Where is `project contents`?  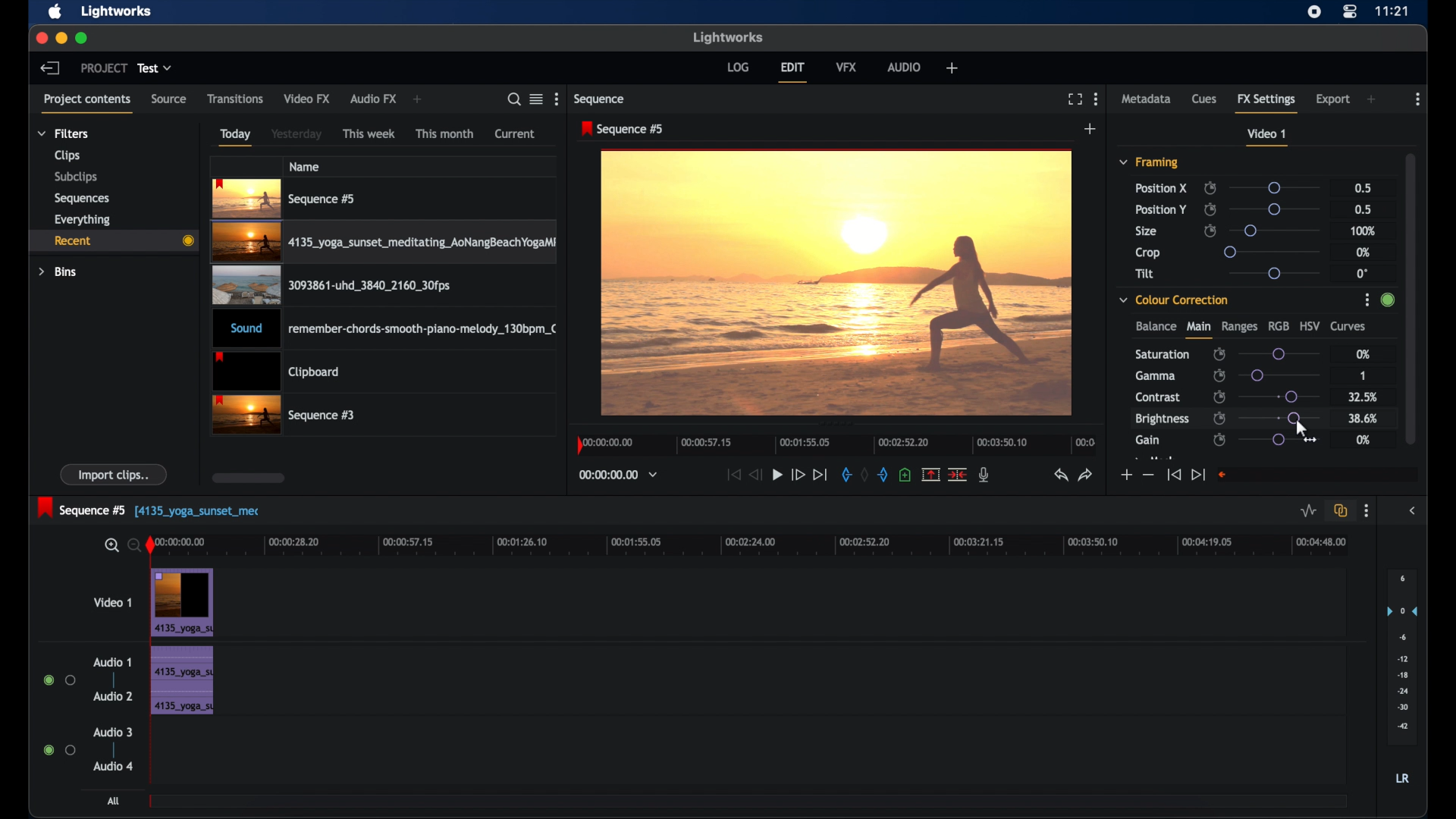 project contents is located at coordinates (86, 102).